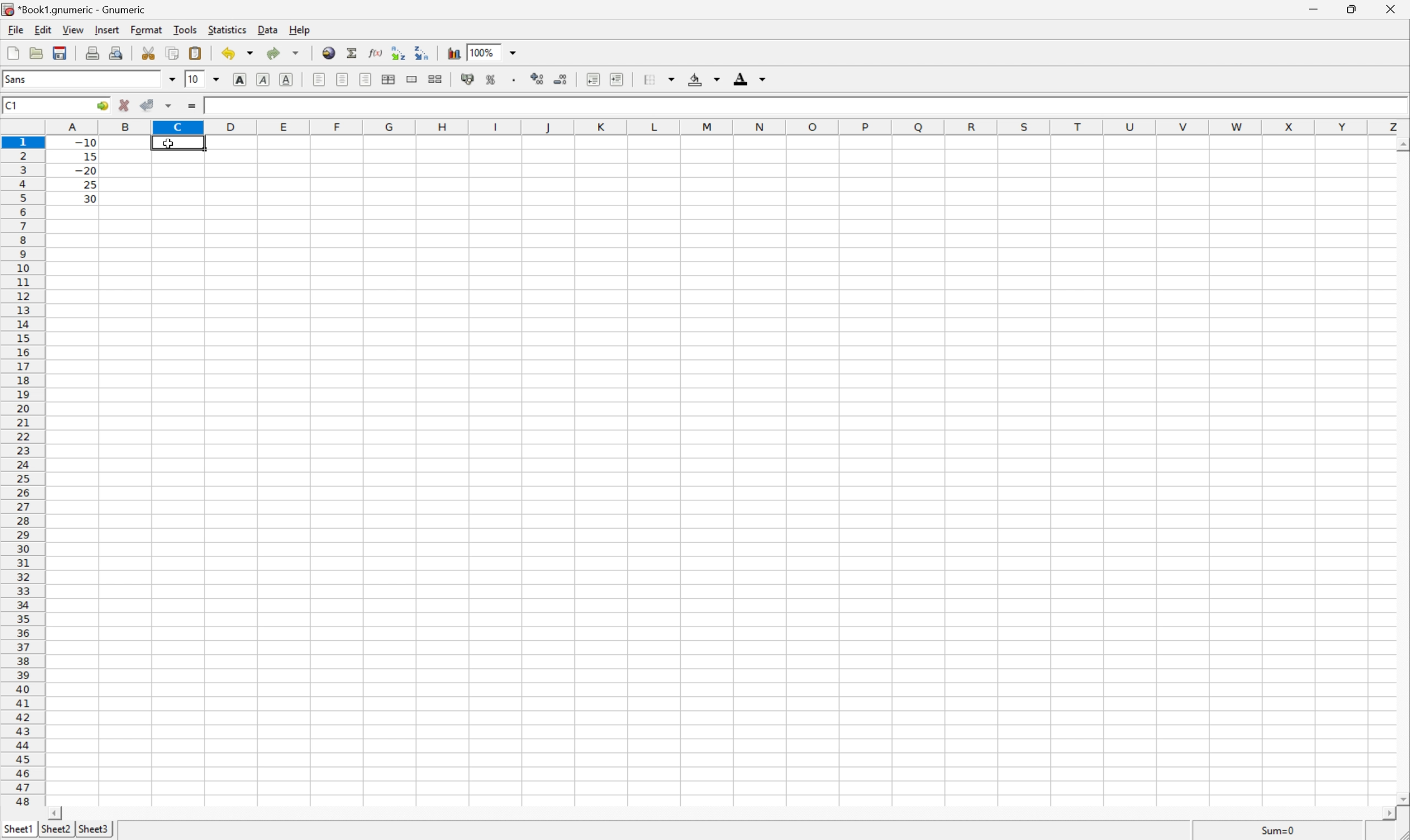  Describe the element at coordinates (95, 52) in the screenshot. I see `Print the current File` at that location.